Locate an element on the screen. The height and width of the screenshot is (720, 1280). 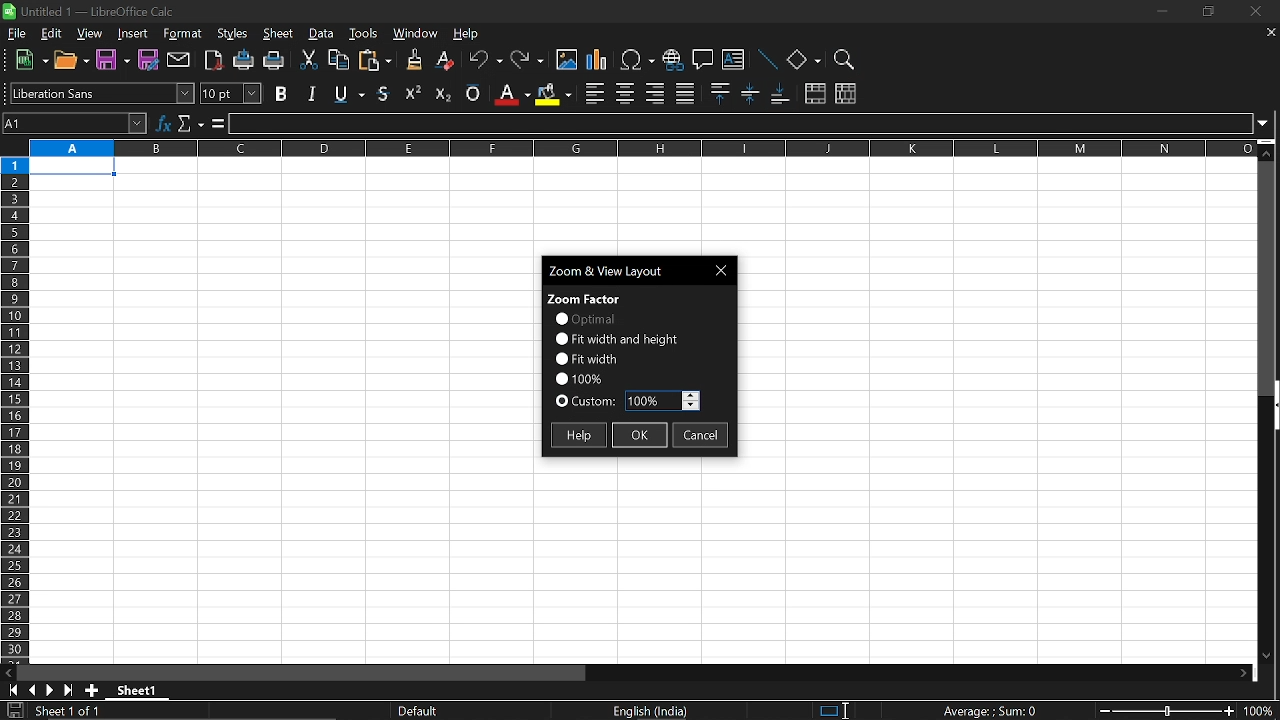
open is located at coordinates (73, 63).